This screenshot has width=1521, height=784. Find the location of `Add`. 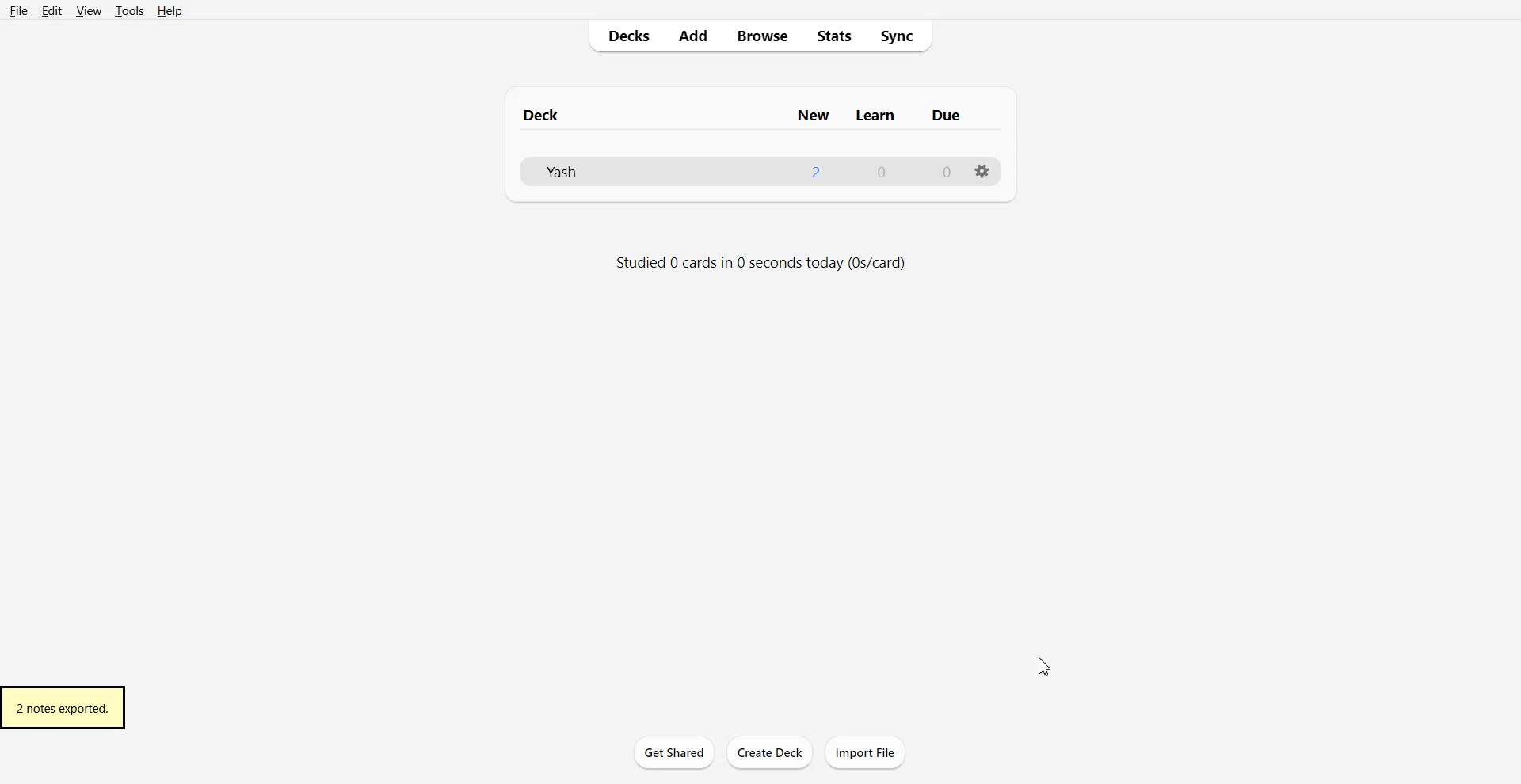

Add is located at coordinates (693, 36).